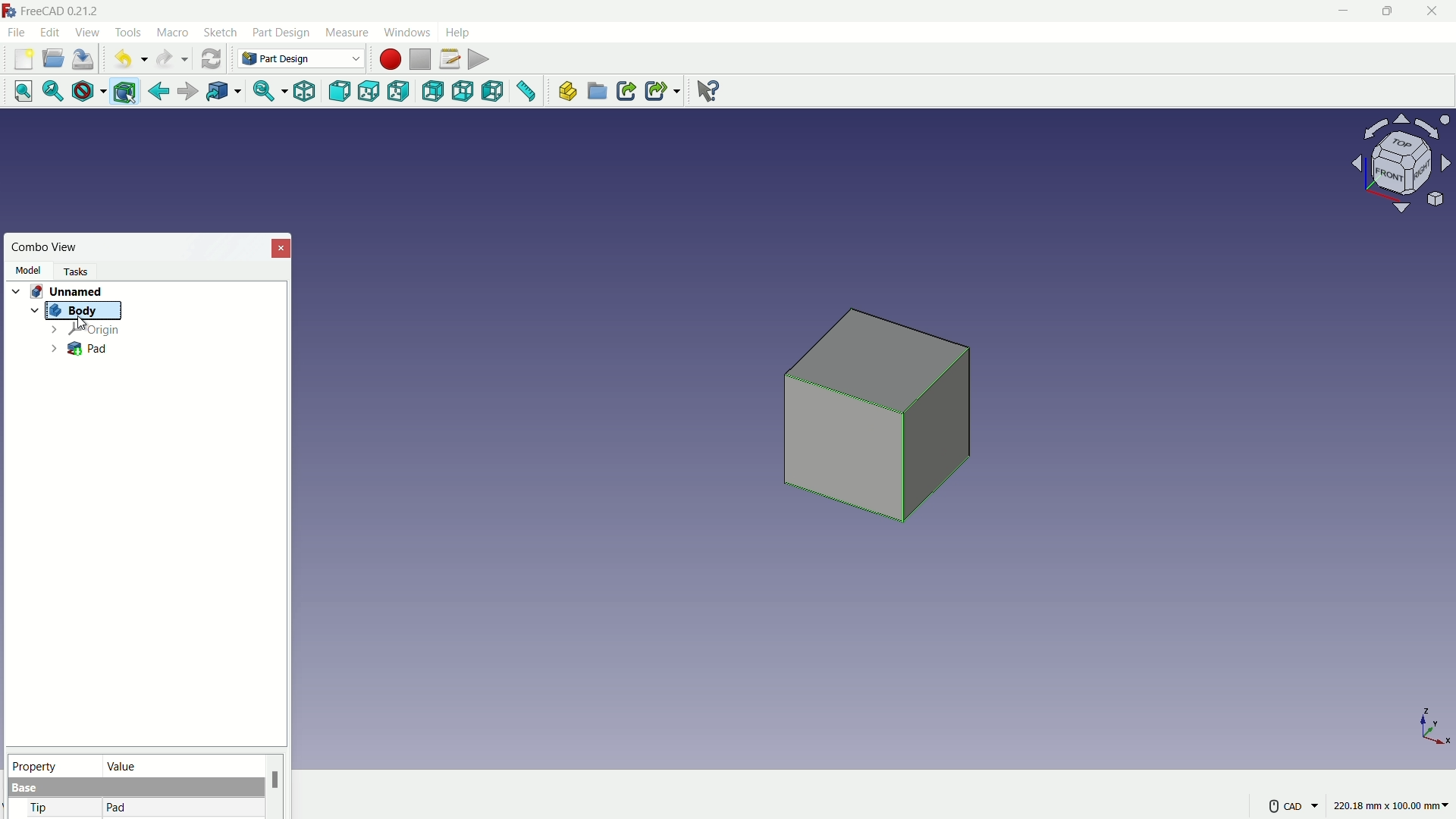  What do you see at coordinates (420, 60) in the screenshot?
I see `stop macros` at bounding box center [420, 60].